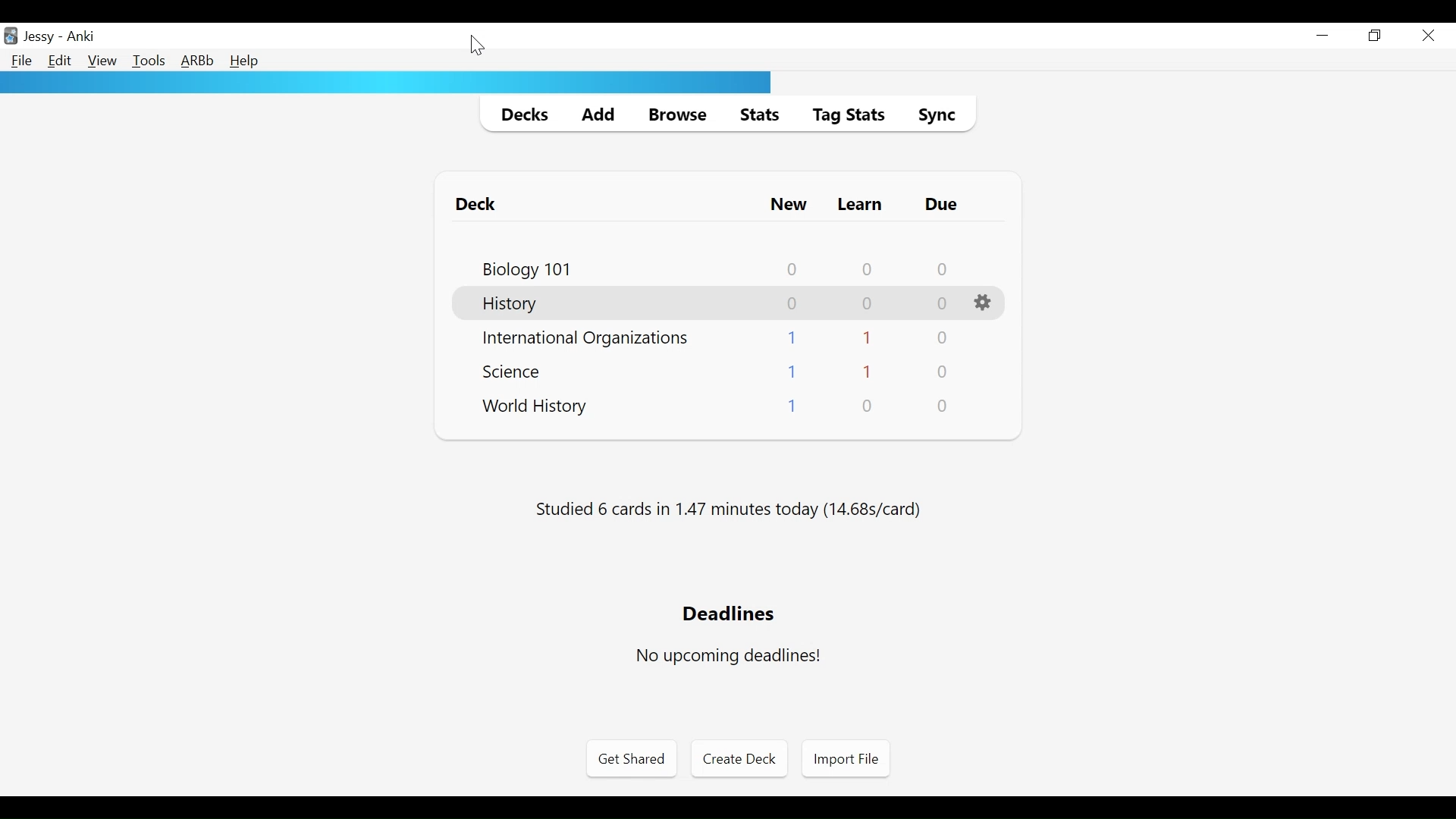 This screenshot has height=819, width=1456. I want to click on Stats, so click(755, 114).